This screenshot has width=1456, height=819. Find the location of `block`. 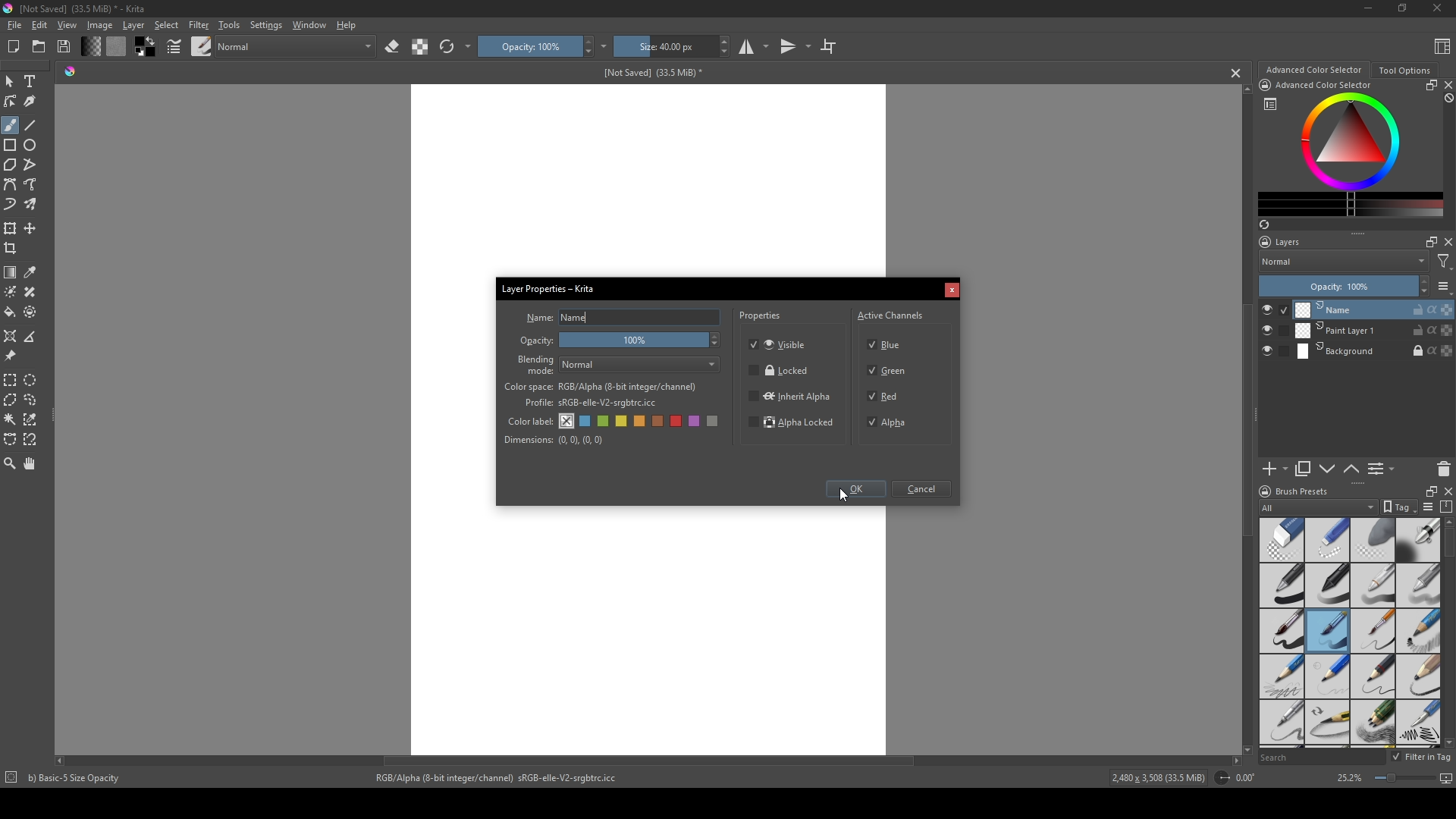

block is located at coordinates (1447, 99).